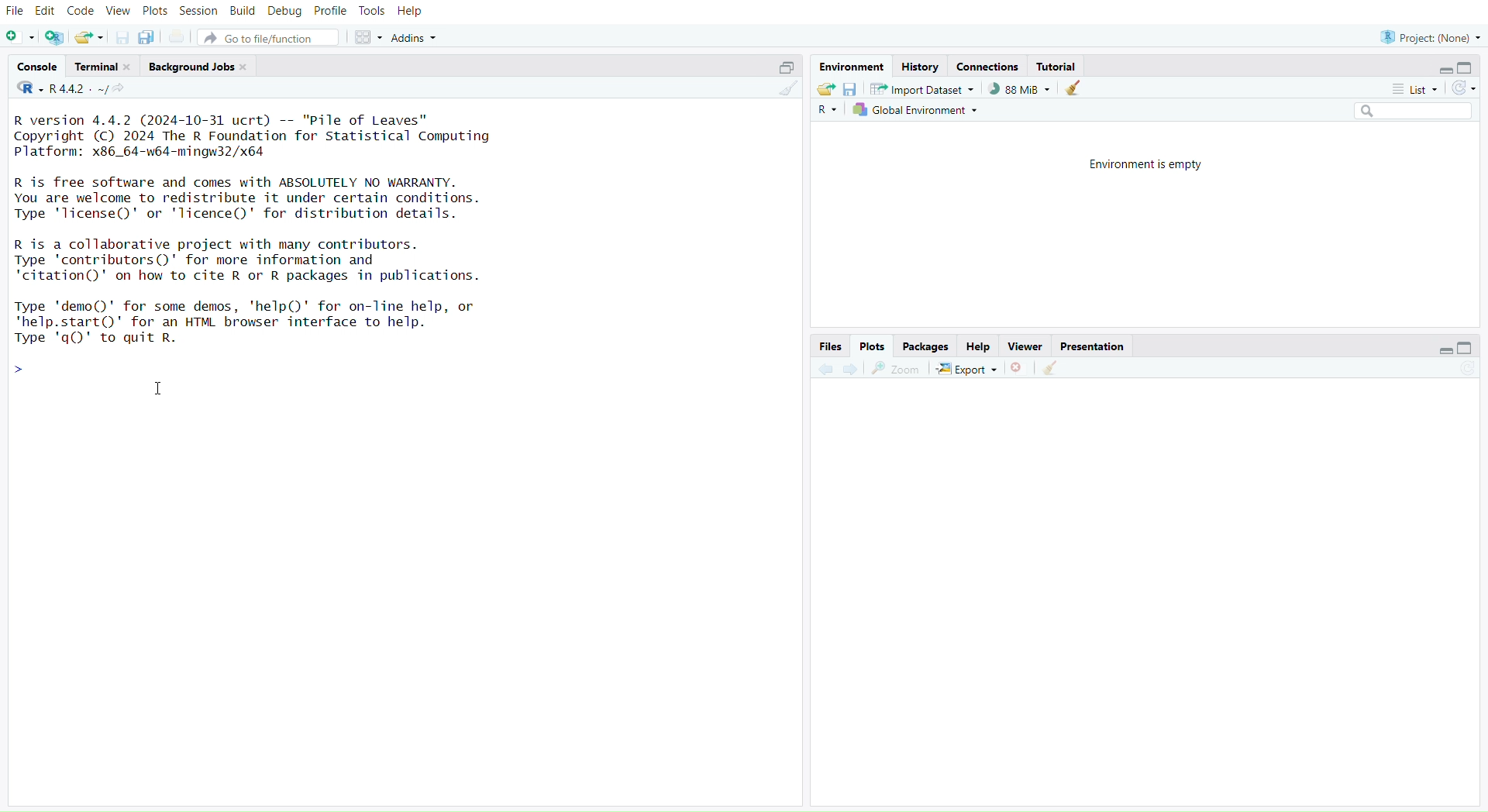  I want to click on refresh list, so click(1461, 89).